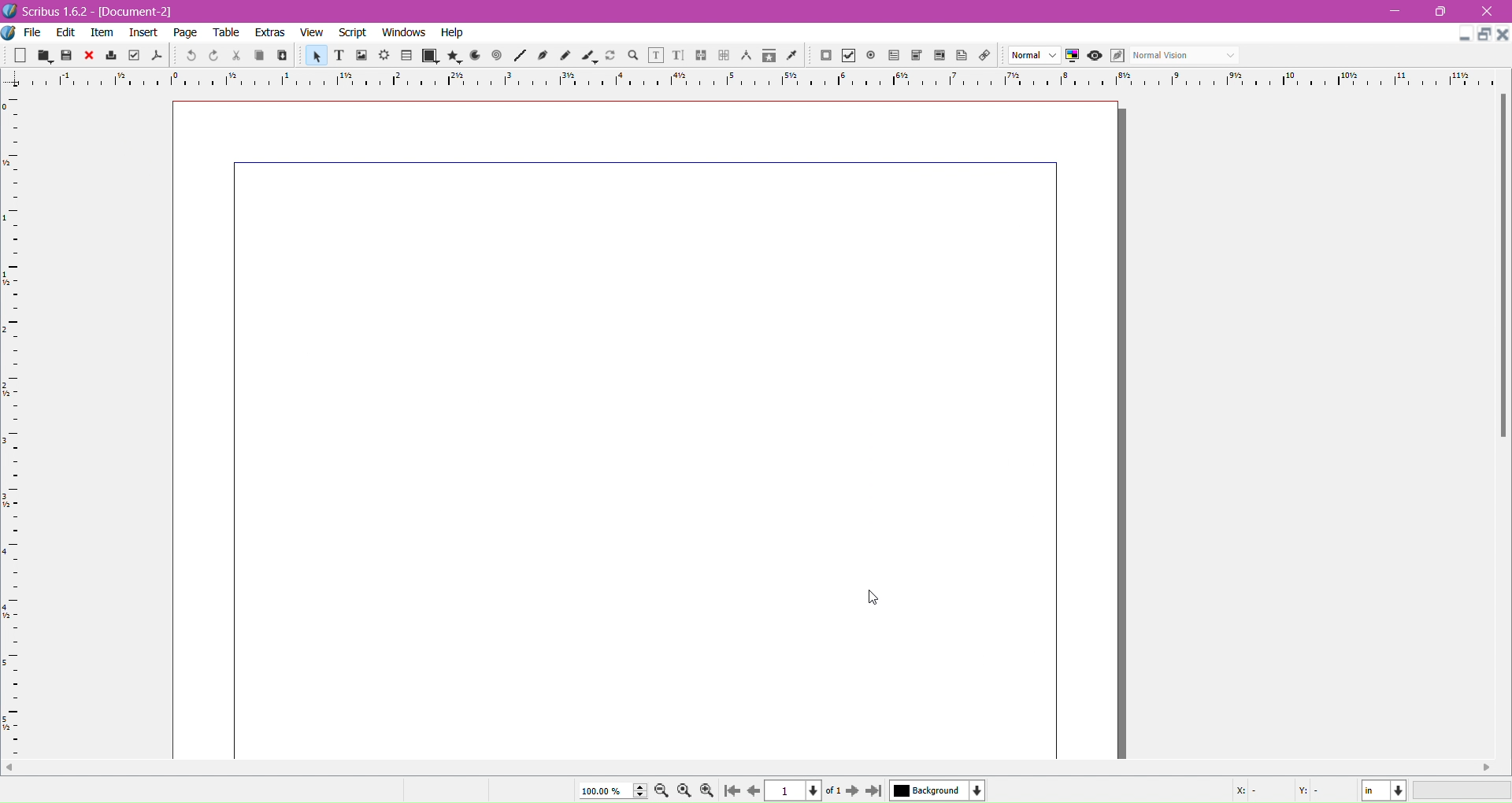  Describe the element at coordinates (238, 56) in the screenshot. I see `cut` at that location.